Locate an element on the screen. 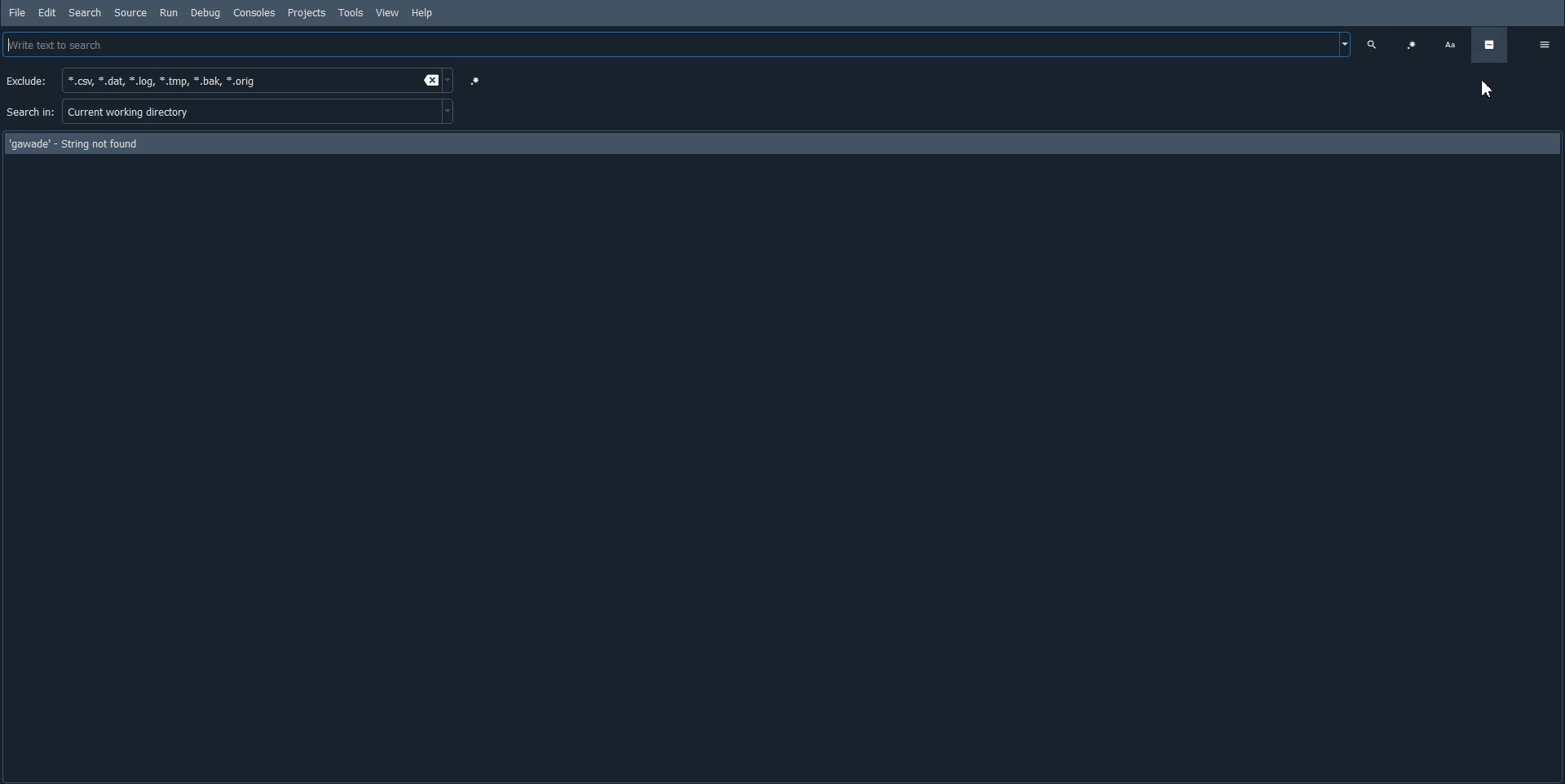 The height and width of the screenshot is (784, 1565). Option is located at coordinates (1545, 43).